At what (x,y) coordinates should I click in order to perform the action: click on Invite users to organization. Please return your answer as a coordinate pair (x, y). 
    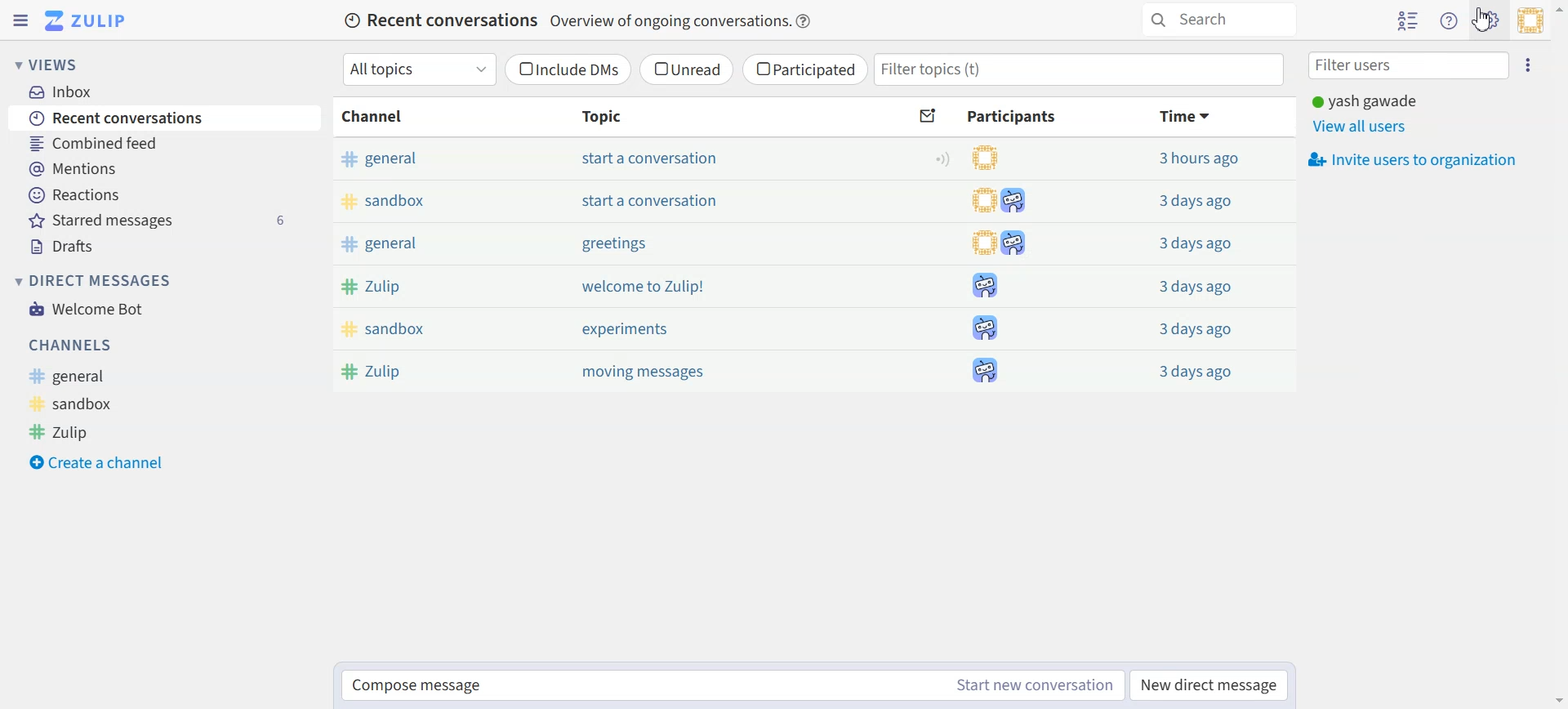
    Looking at the image, I should click on (1412, 161).